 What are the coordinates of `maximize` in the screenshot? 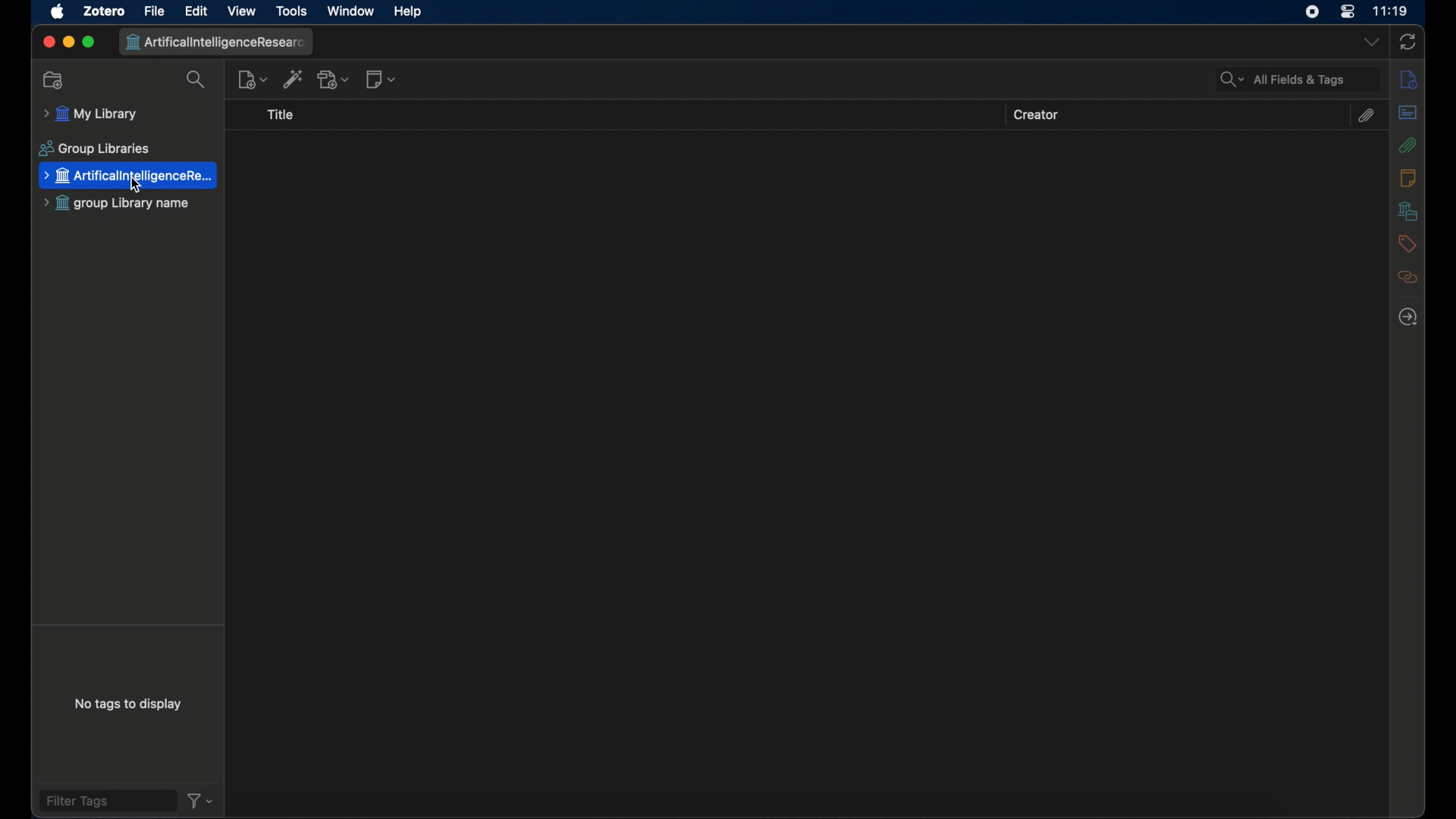 It's located at (89, 42).